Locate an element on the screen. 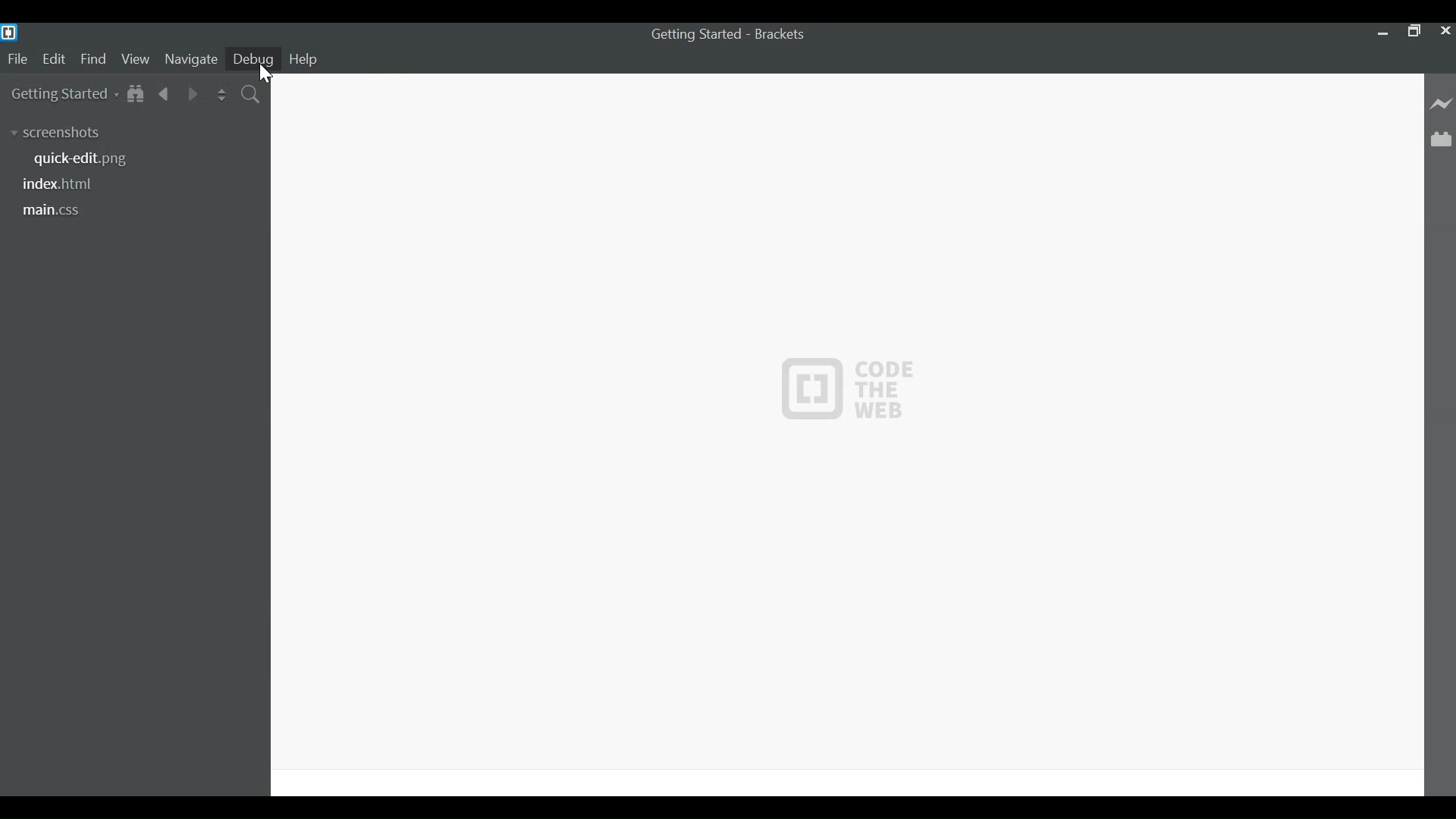 Image resolution: width=1456 pixels, height=819 pixels. Debug is located at coordinates (252, 59).